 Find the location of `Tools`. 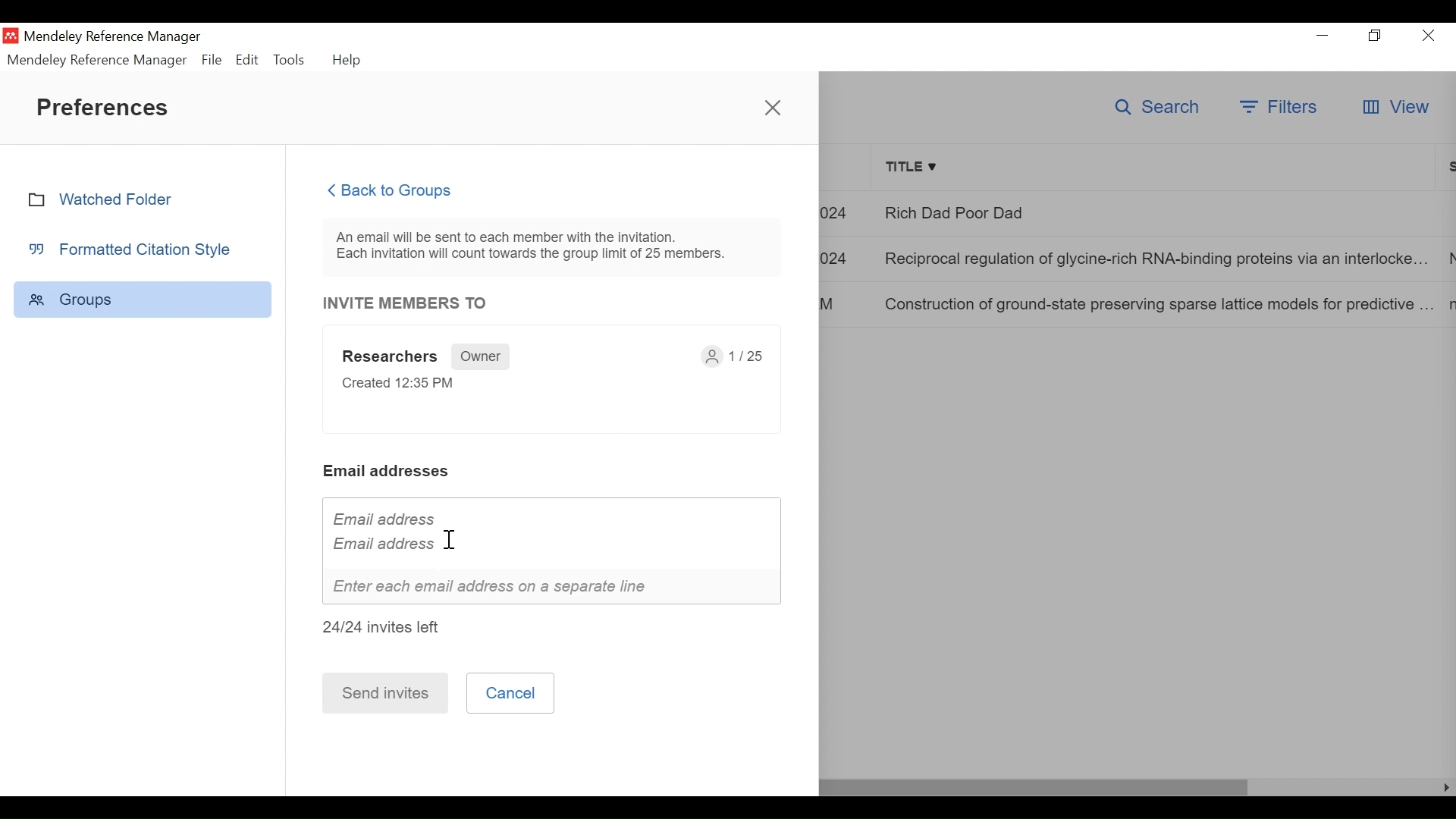

Tools is located at coordinates (290, 60).